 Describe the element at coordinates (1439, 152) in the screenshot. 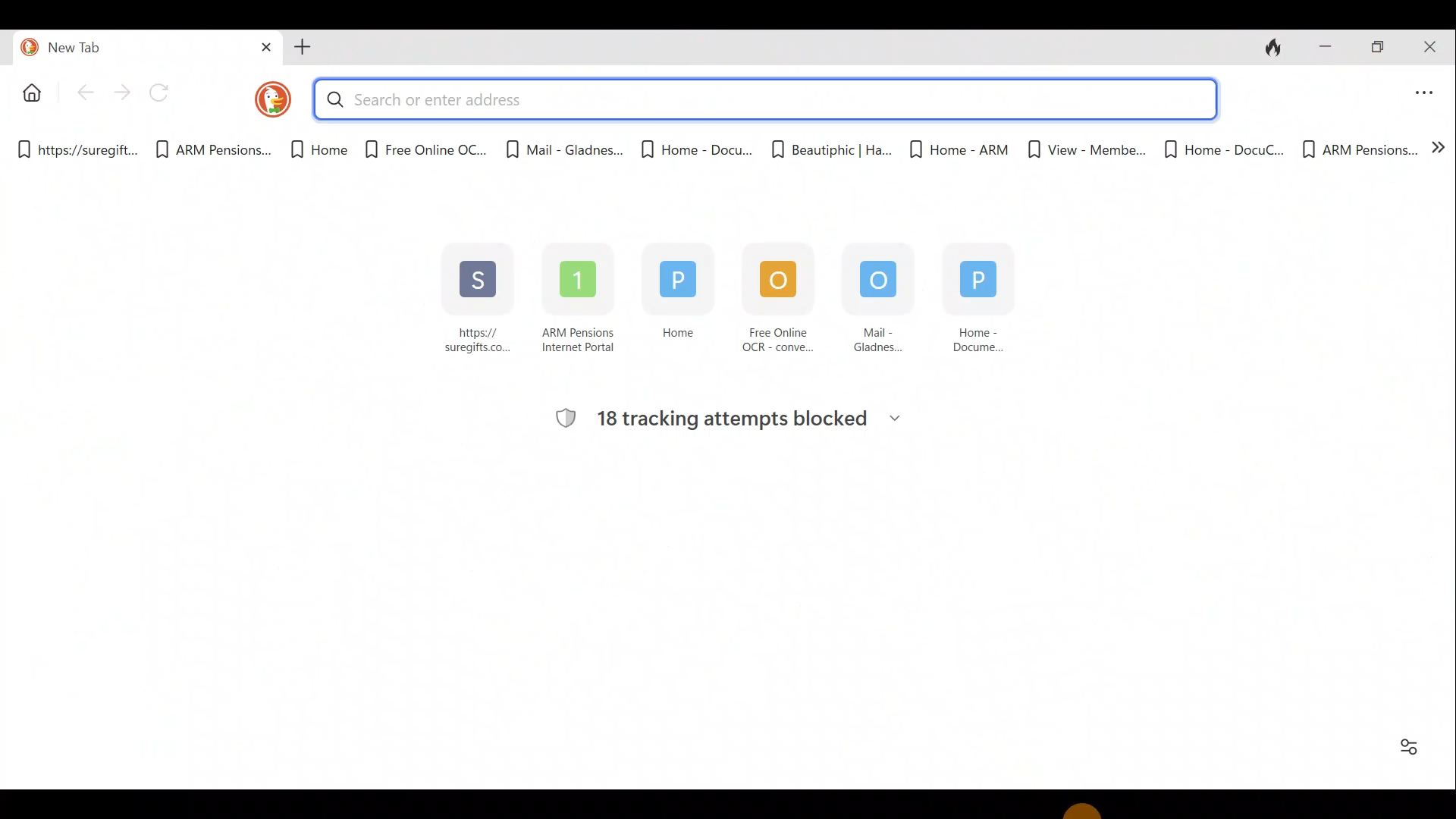

I see `Show more bookmarks` at that location.